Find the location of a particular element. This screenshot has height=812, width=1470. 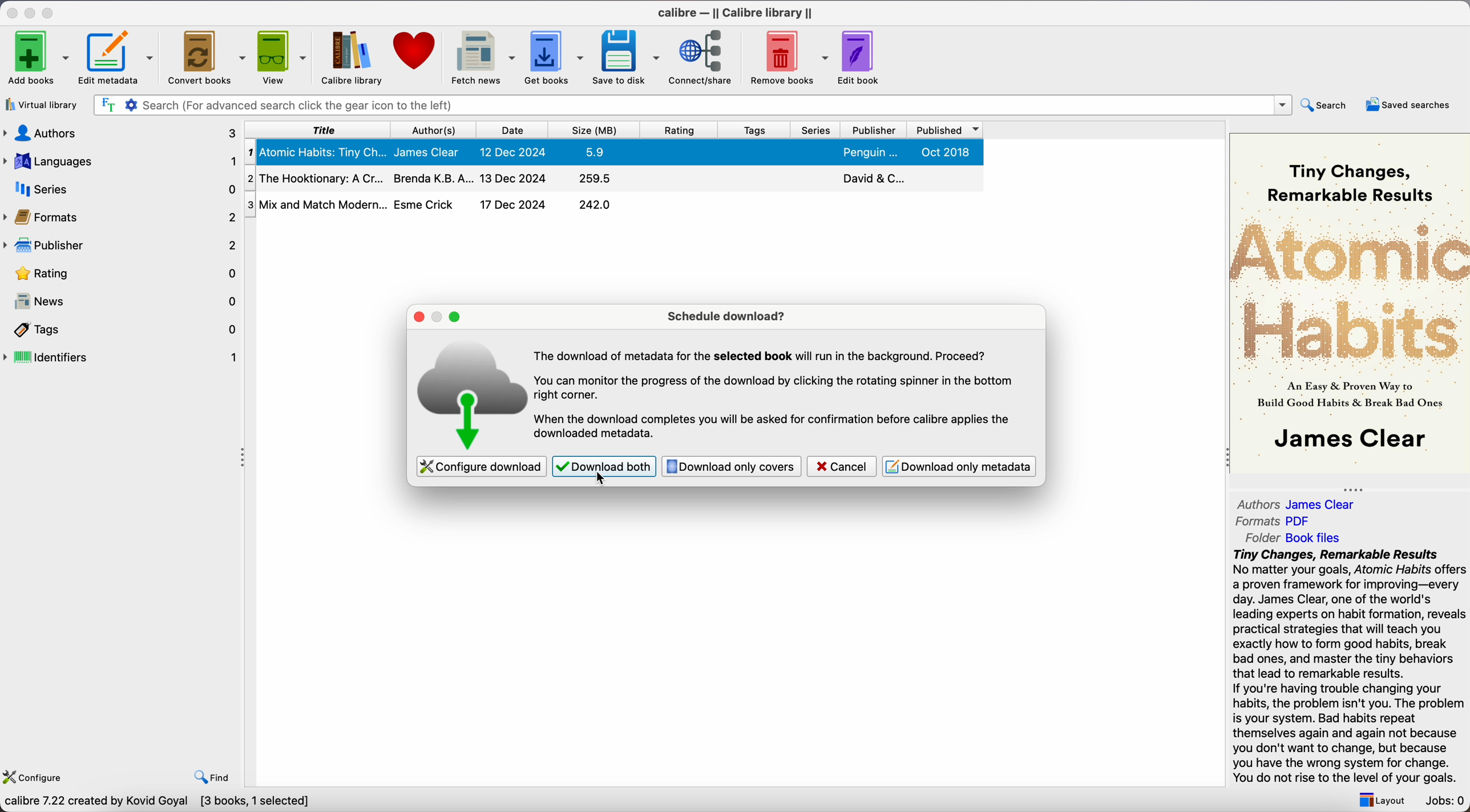

rating is located at coordinates (125, 274).